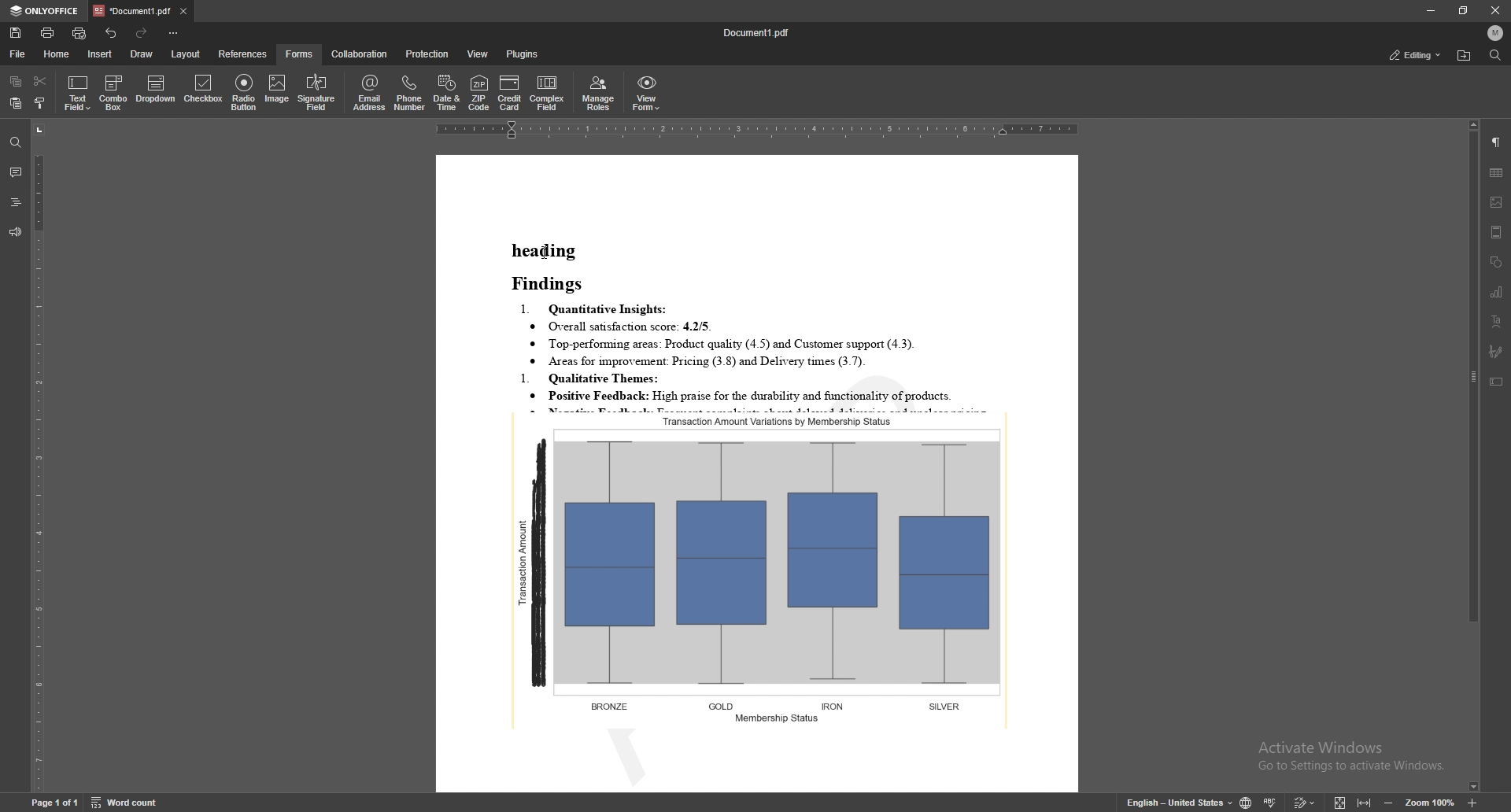 The image size is (1511, 812). Describe the element at coordinates (410, 93) in the screenshot. I see `phone number` at that location.